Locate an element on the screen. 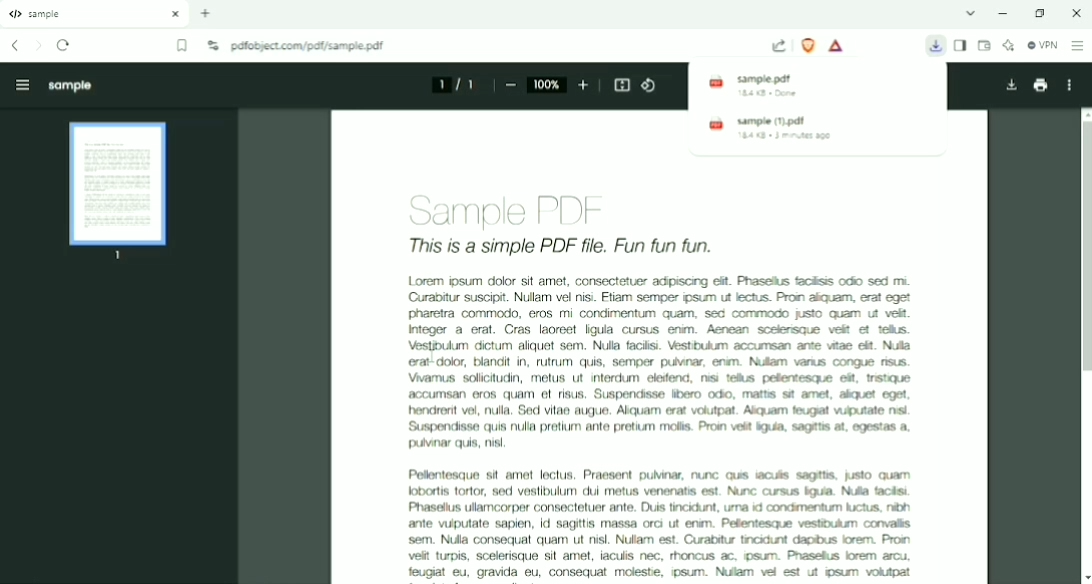 This screenshot has width=1092, height=584. Rotate Counterclockwise is located at coordinates (650, 85).